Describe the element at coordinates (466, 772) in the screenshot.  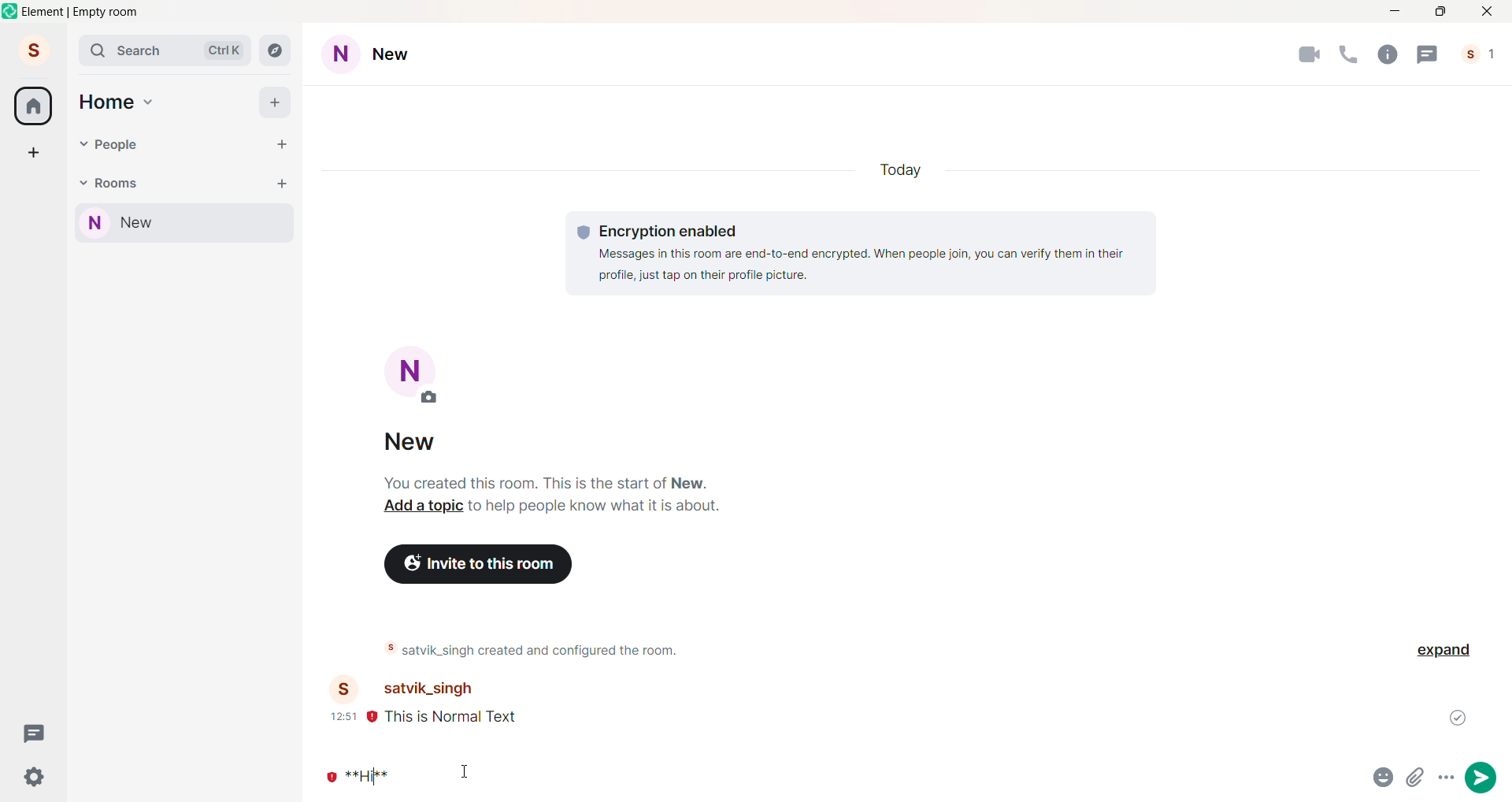
I see `cursor` at that location.